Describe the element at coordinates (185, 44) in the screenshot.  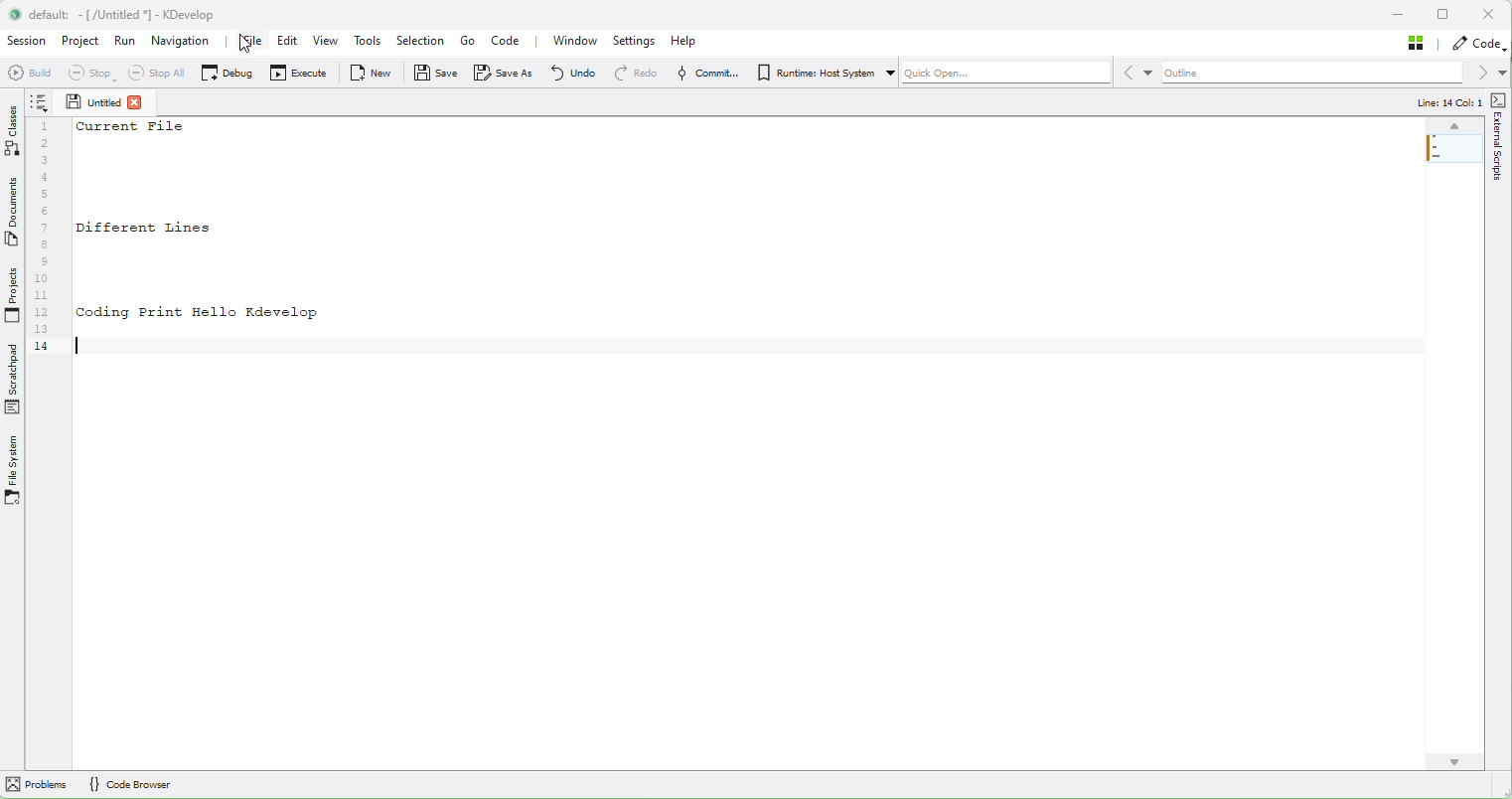
I see `Navigation` at that location.